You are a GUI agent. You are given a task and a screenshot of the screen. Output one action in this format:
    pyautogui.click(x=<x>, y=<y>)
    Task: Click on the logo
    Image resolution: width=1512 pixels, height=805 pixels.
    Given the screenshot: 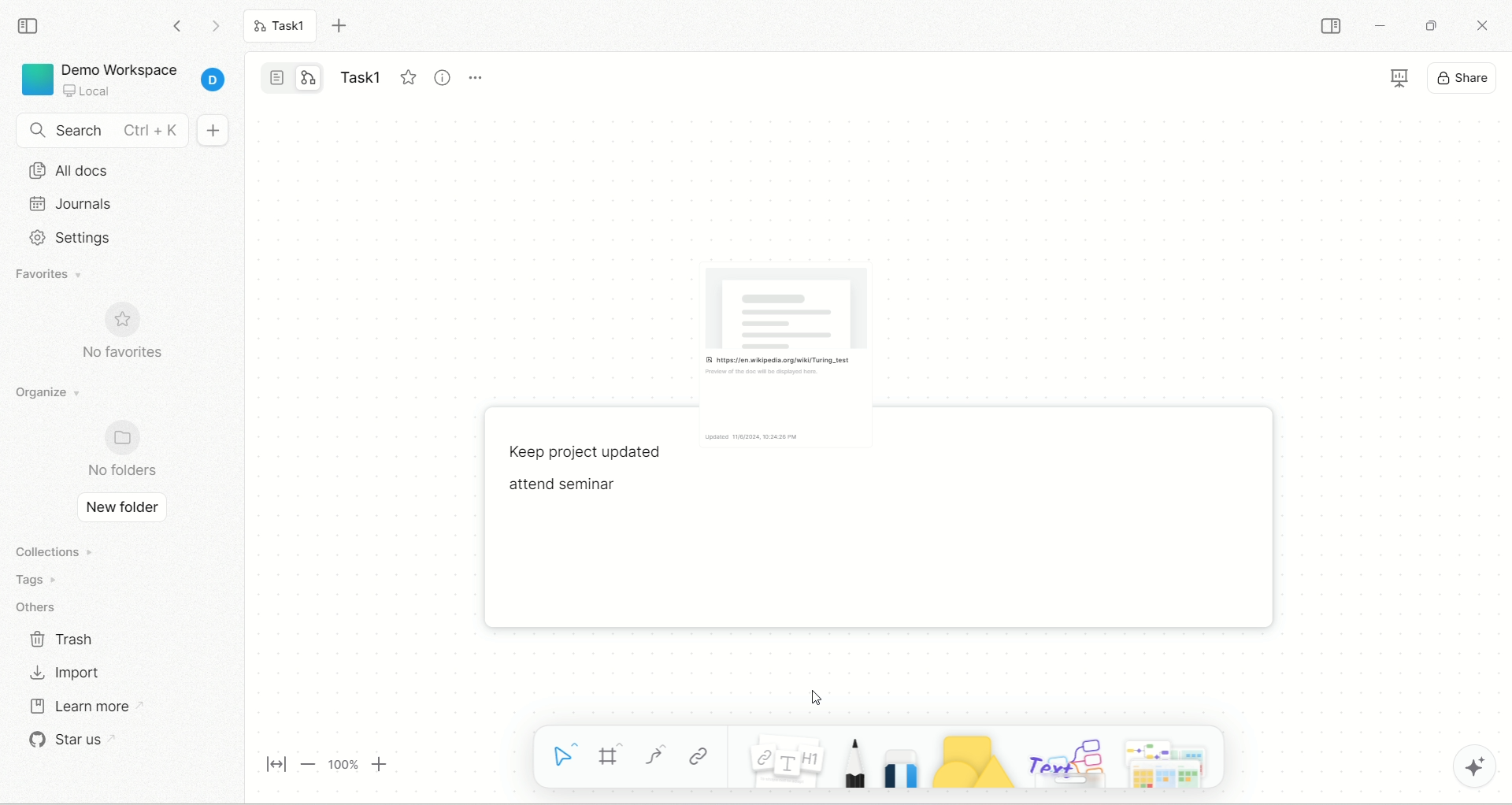 What is the action you would take?
    pyautogui.click(x=35, y=79)
    